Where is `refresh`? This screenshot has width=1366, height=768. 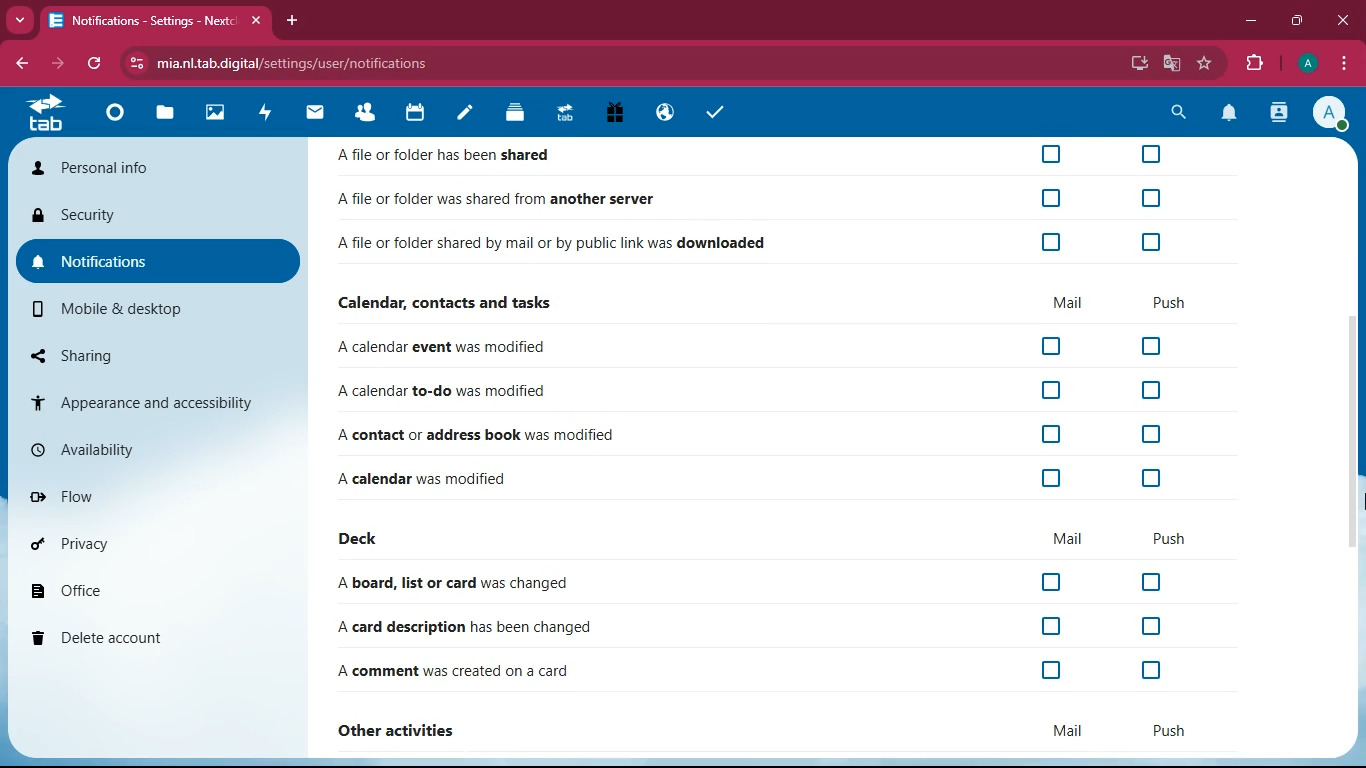
refresh is located at coordinates (94, 64).